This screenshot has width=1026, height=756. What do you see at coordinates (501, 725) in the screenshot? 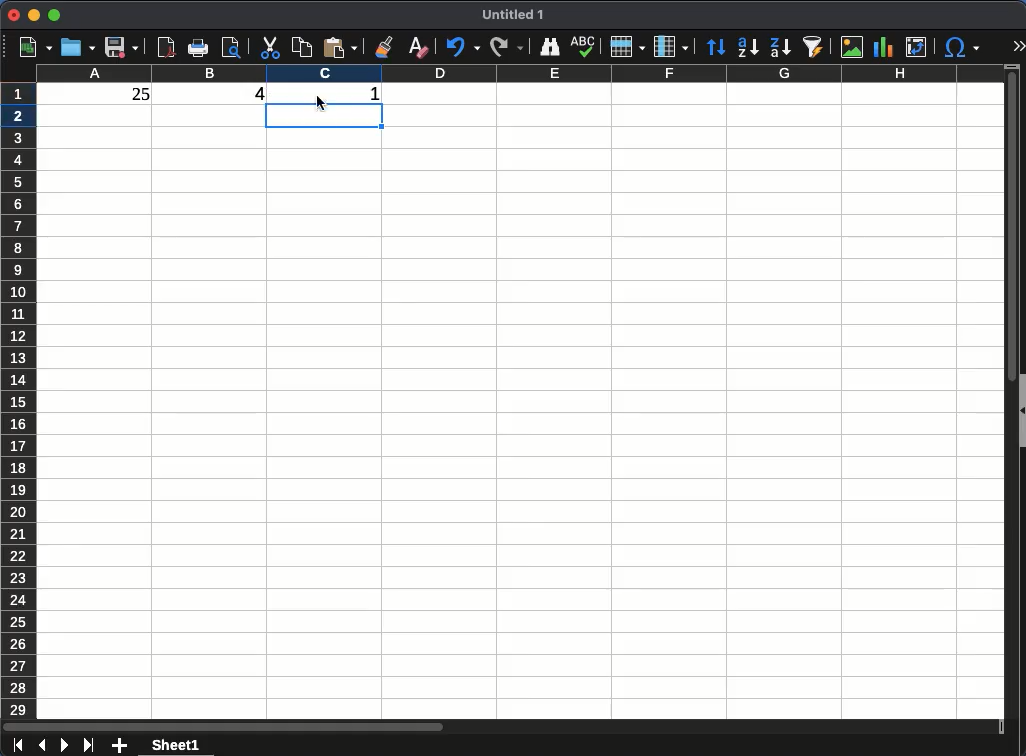
I see `scroll` at bounding box center [501, 725].